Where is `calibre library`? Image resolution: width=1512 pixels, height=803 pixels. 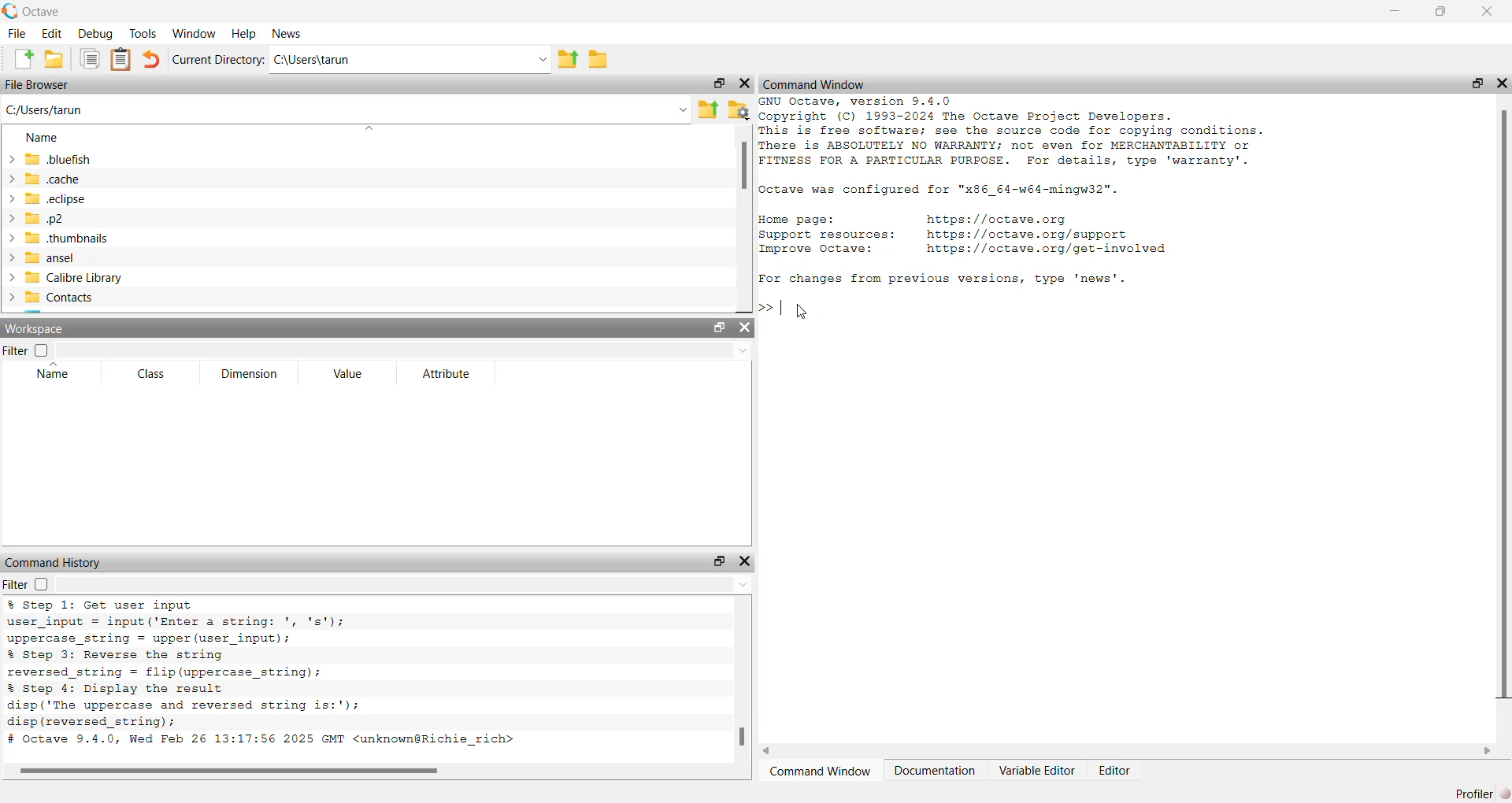
calibre library is located at coordinates (104, 279).